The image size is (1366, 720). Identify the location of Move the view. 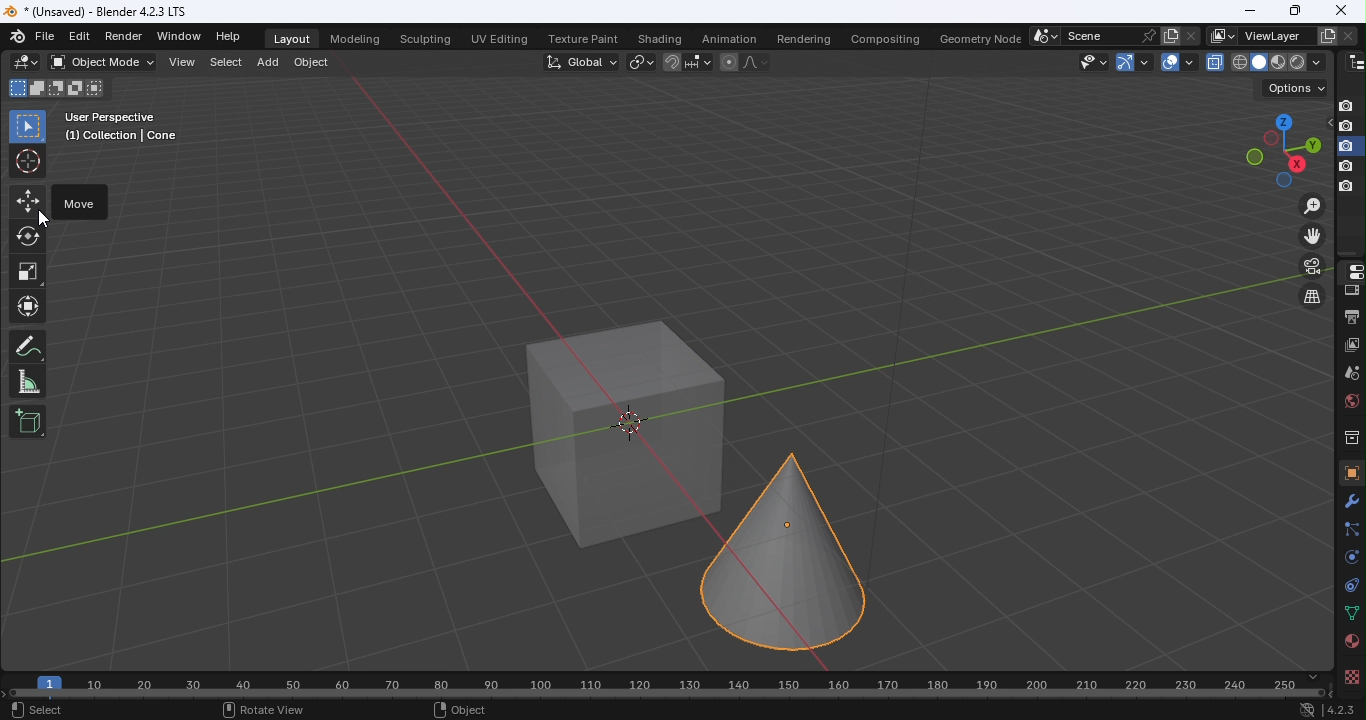
(1313, 236).